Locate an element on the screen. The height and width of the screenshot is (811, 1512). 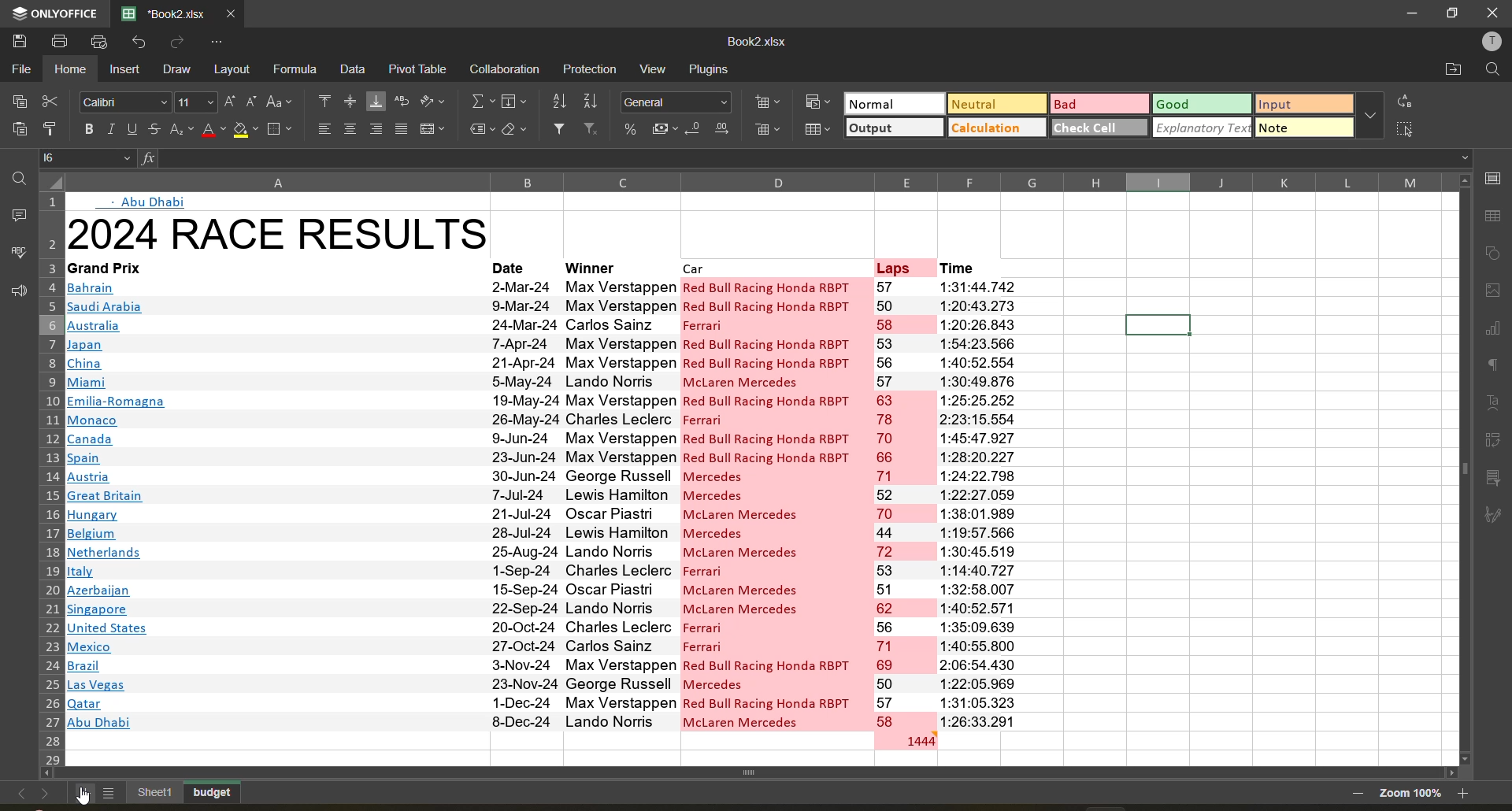
clear is located at coordinates (515, 129).